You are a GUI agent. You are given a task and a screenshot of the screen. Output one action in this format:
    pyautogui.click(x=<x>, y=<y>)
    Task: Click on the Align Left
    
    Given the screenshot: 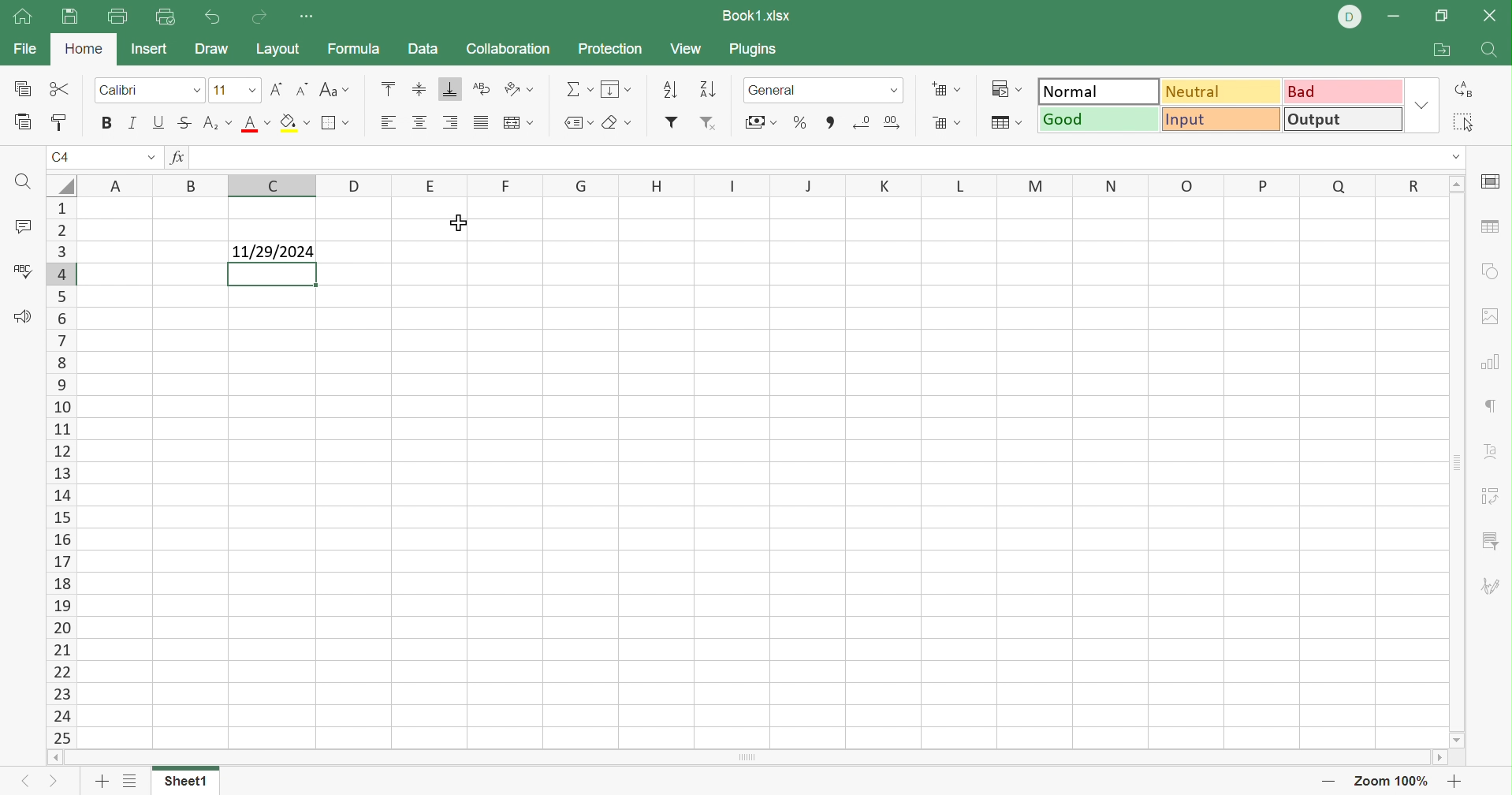 What is the action you would take?
    pyautogui.click(x=386, y=123)
    